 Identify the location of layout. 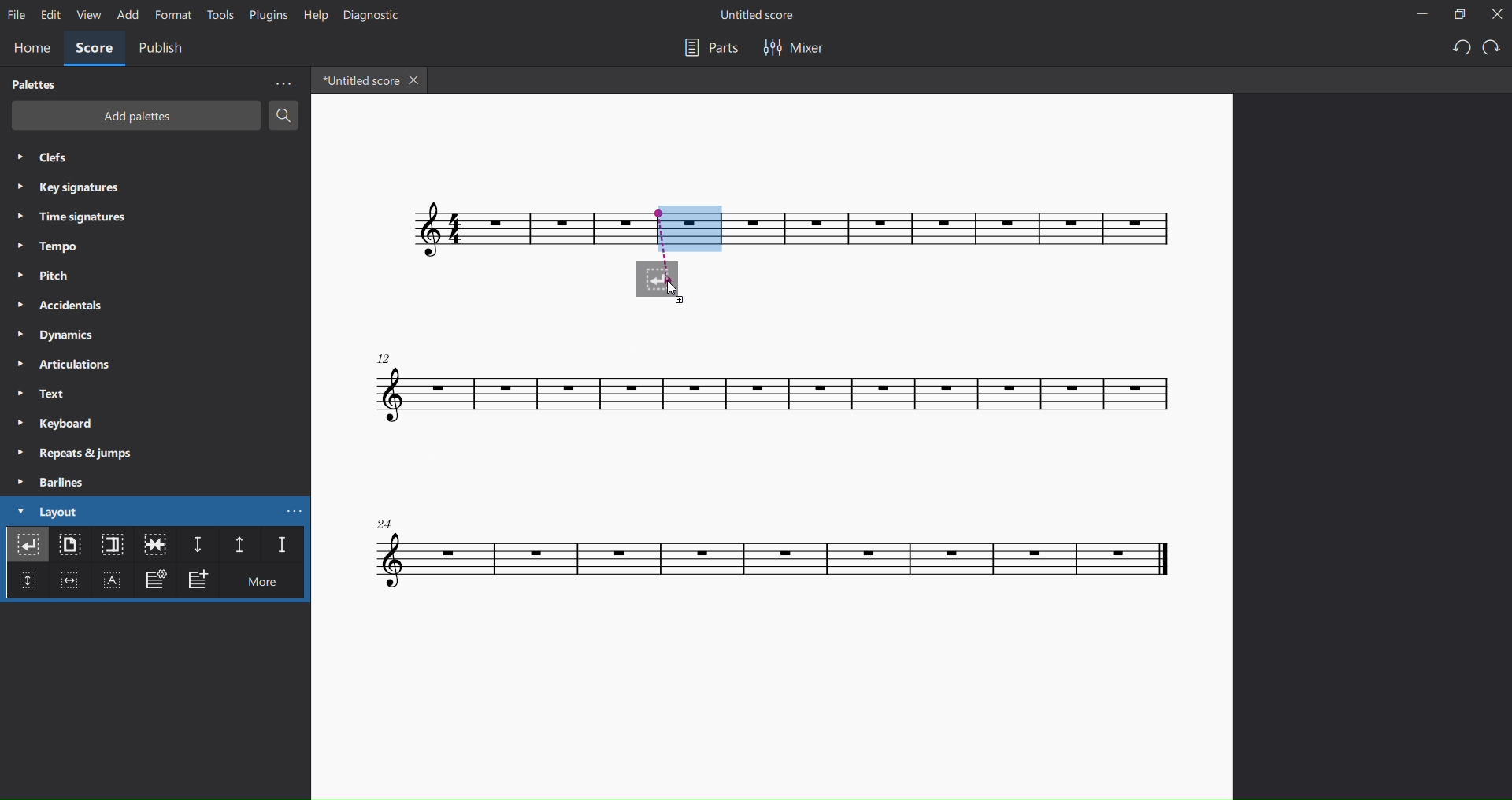
(46, 512).